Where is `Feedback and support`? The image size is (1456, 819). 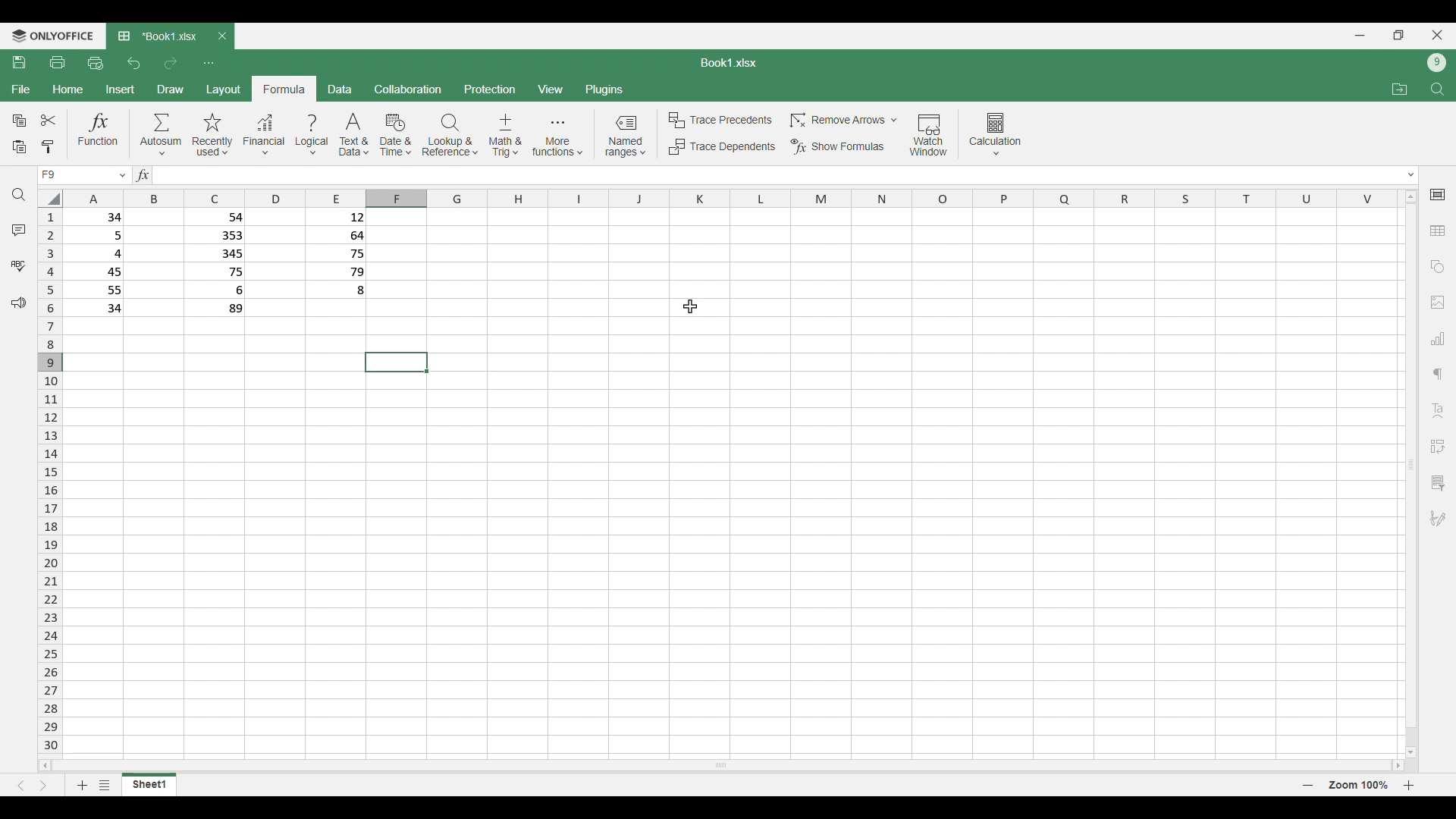
Feedback and support is located at coordinates (18, 303).